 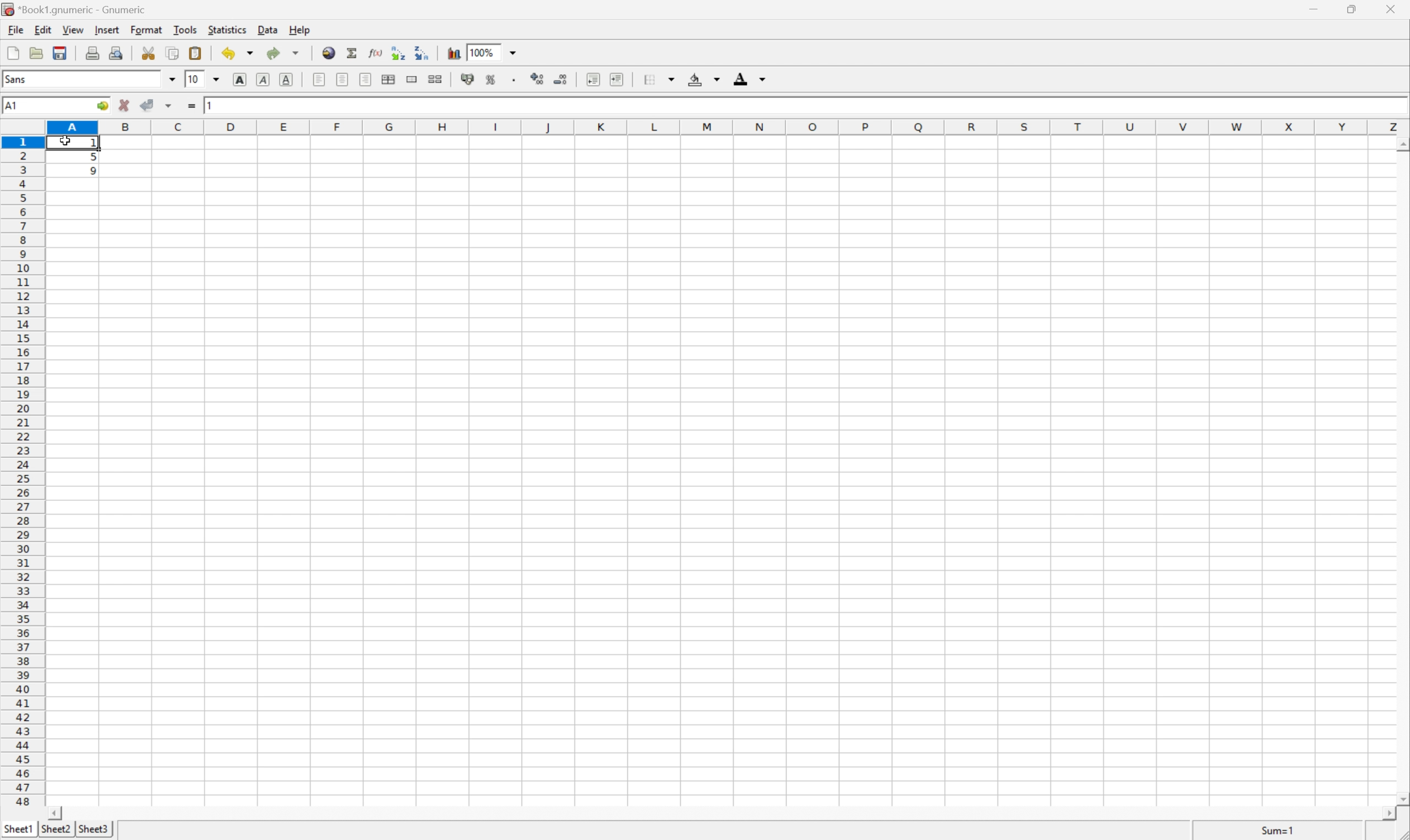 I want to click on column names, so click(x=730, y=128).